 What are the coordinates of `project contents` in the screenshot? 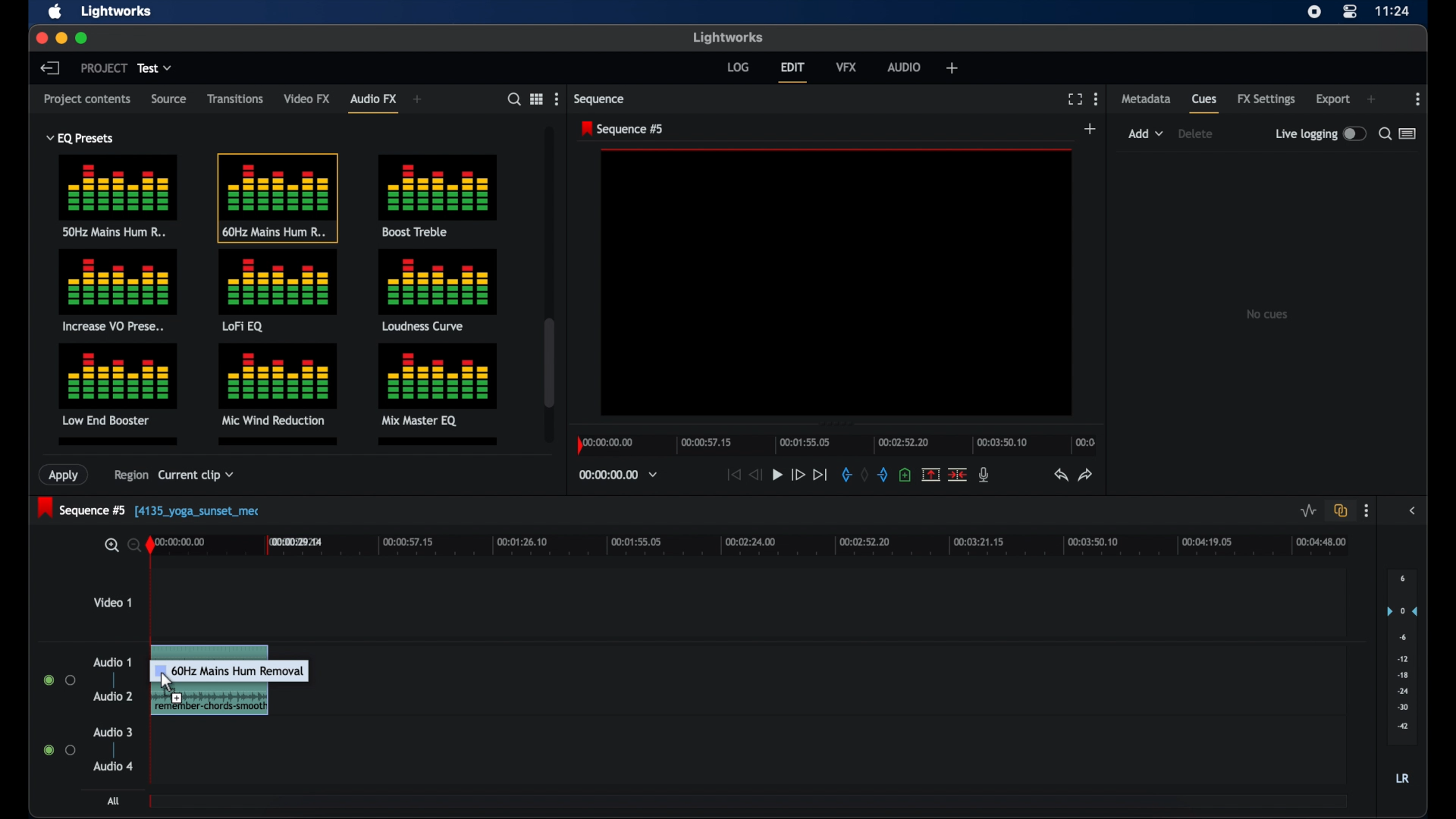 It's located at (87, 102).